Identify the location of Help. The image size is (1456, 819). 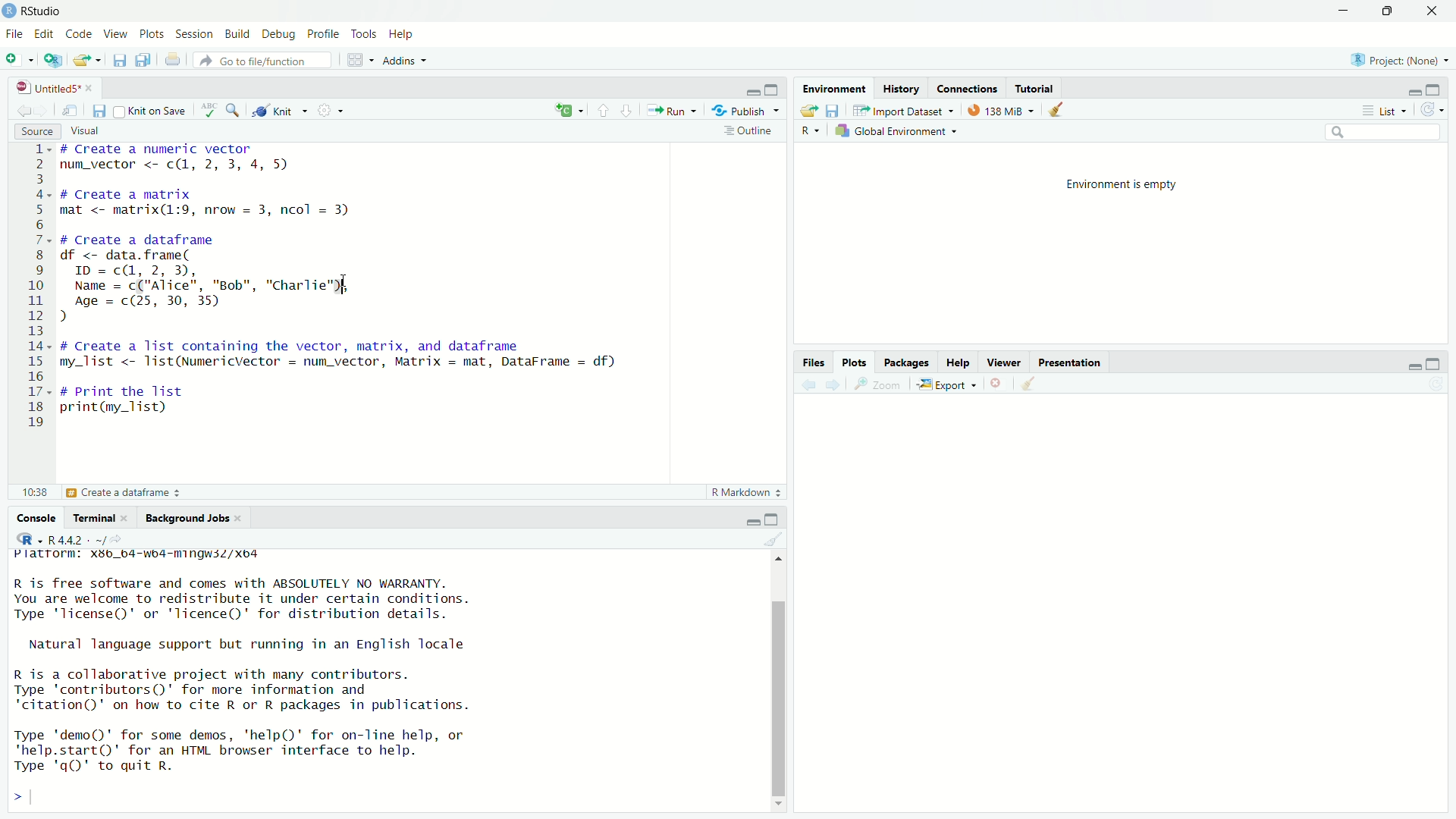
(959, 362).